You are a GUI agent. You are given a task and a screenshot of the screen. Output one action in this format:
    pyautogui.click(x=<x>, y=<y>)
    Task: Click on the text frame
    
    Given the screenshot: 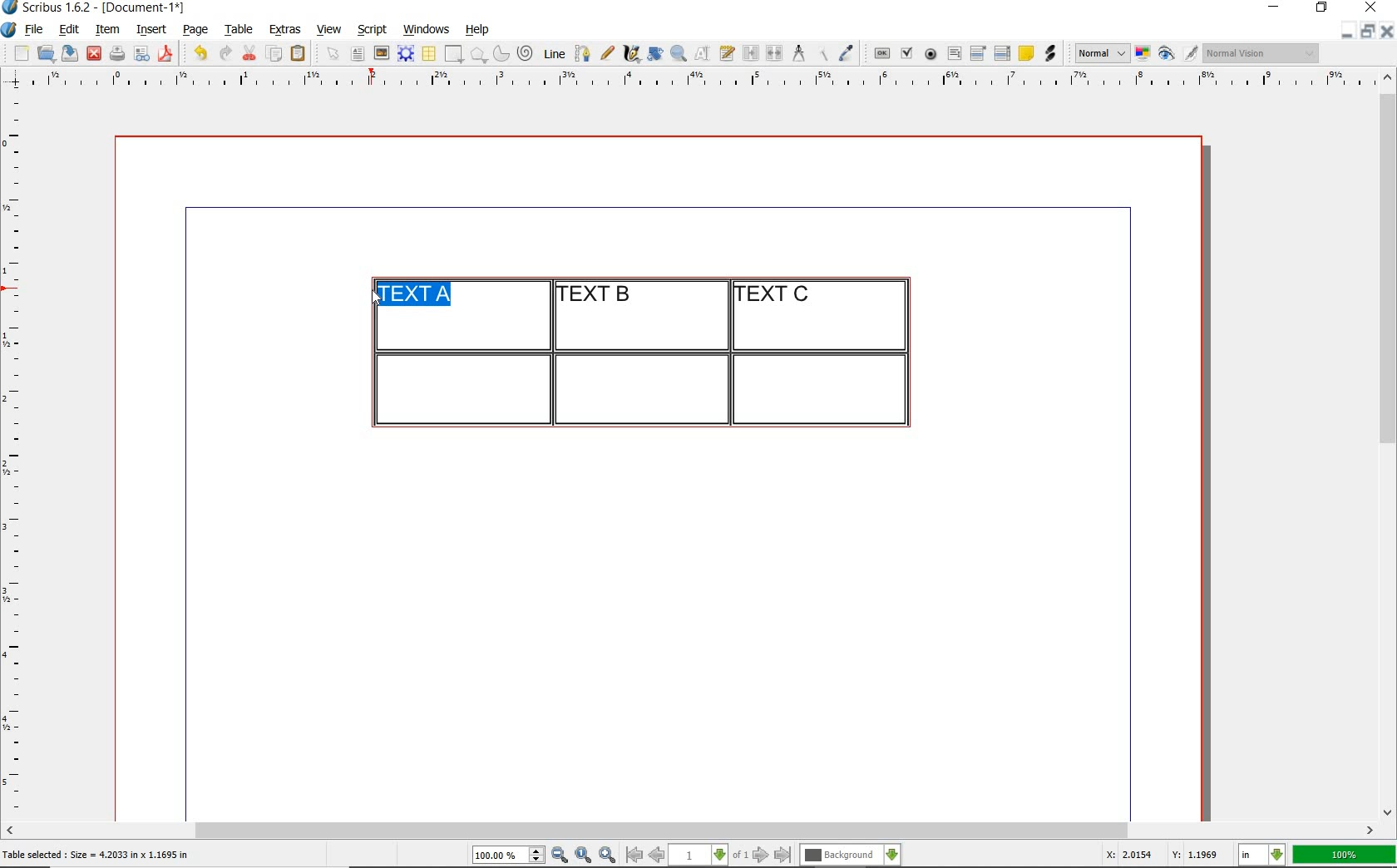 What is the action you would take?
    pyautogui.click(x=357, y=55)
    